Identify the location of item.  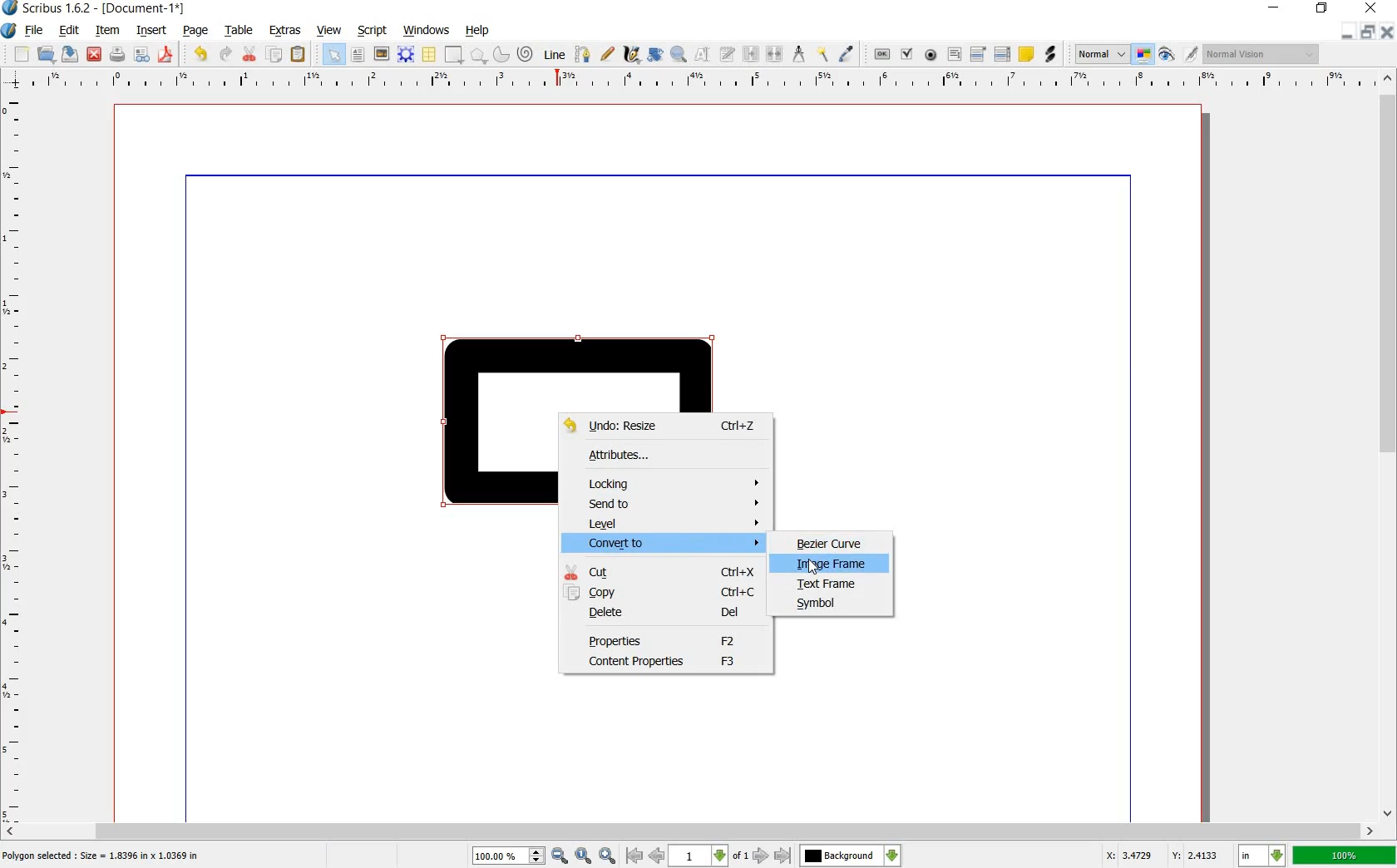
(105, 30).